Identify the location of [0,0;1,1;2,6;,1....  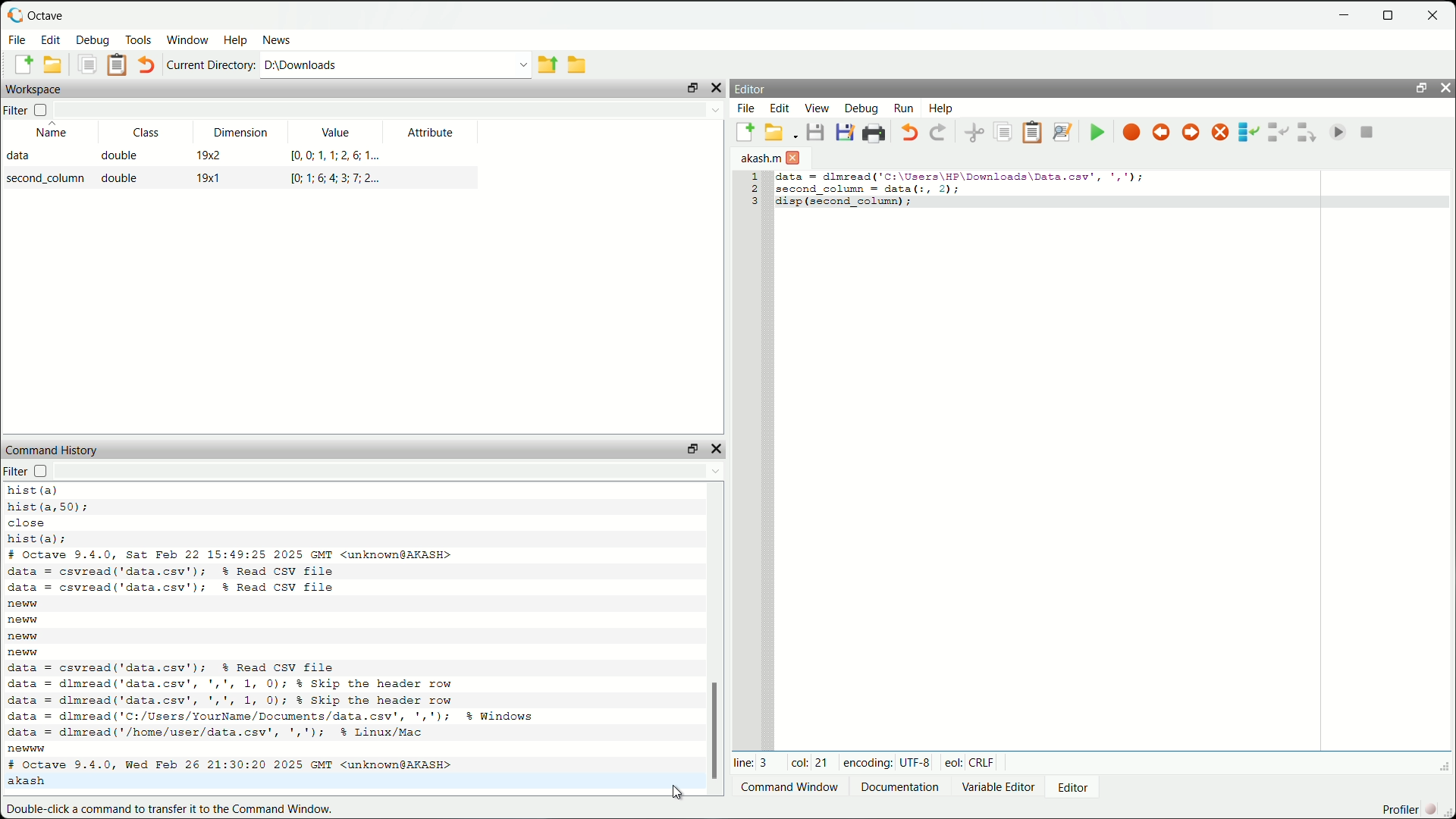
(340, 158).